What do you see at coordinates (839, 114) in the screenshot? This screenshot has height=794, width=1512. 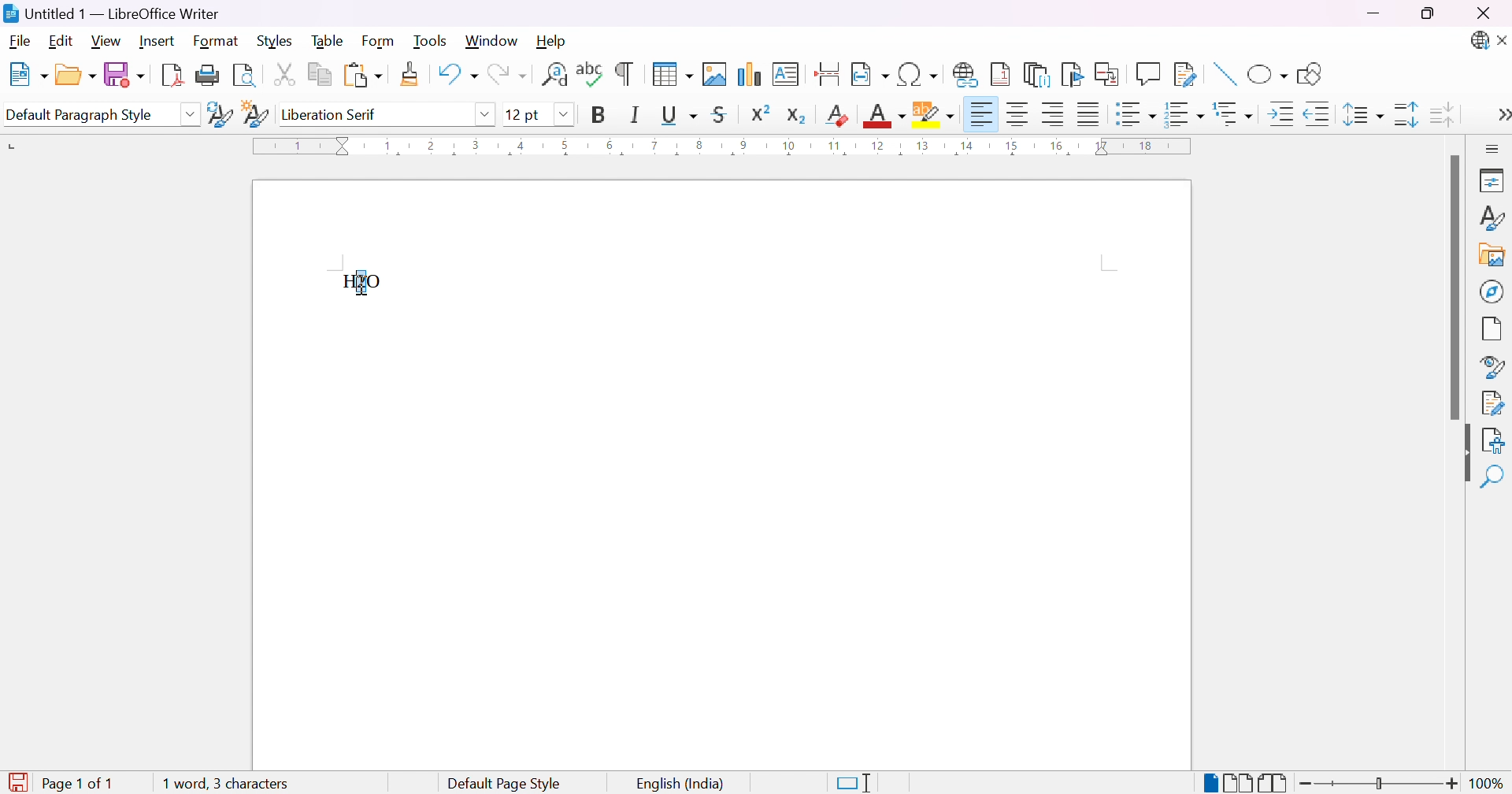 I see `Clear direct formatting` at bounding box center [839, 114].